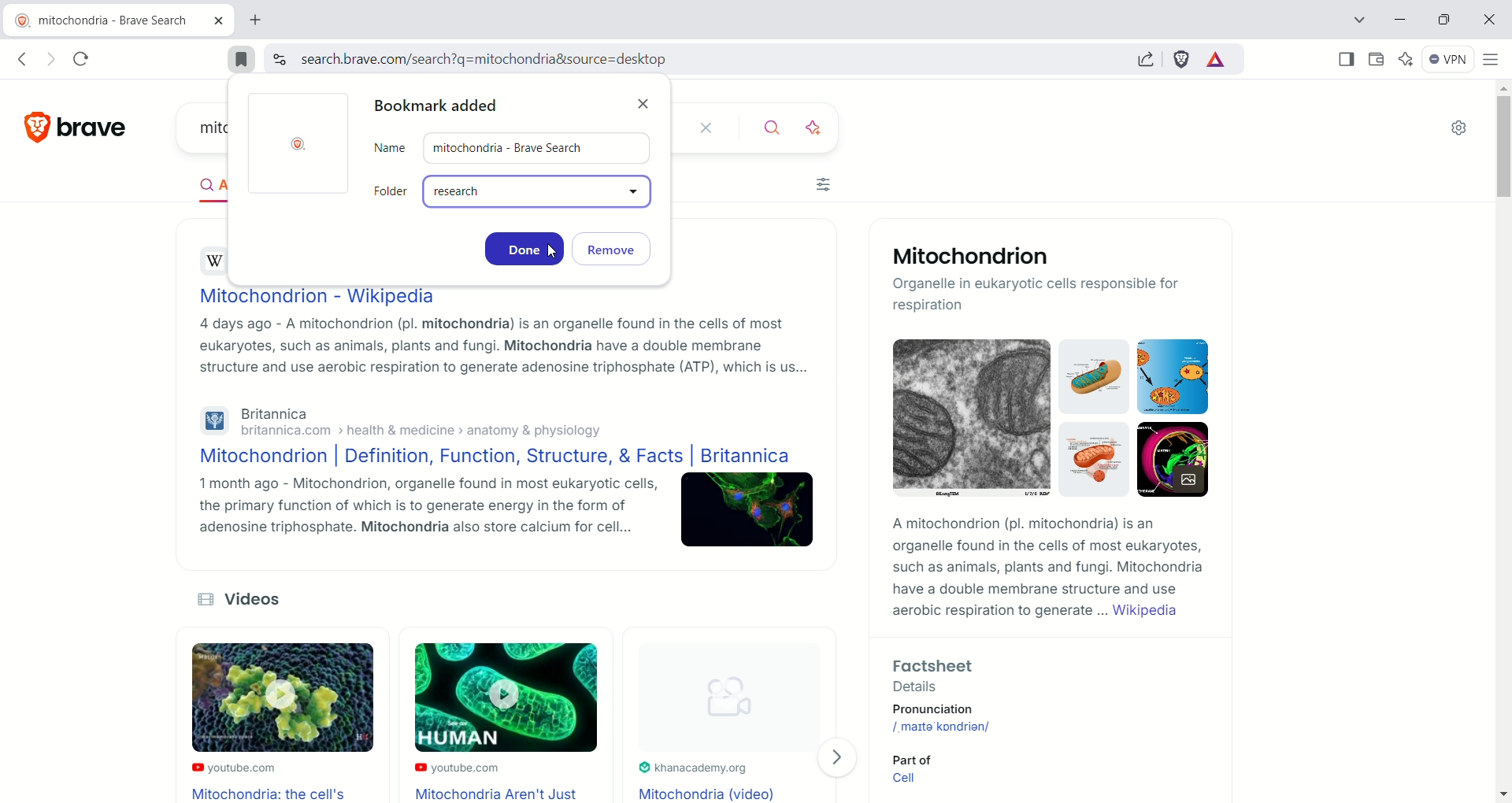 This screenshot has height=803, width=1512. I want to click on Mitochondrion images, so click(1043, 424).